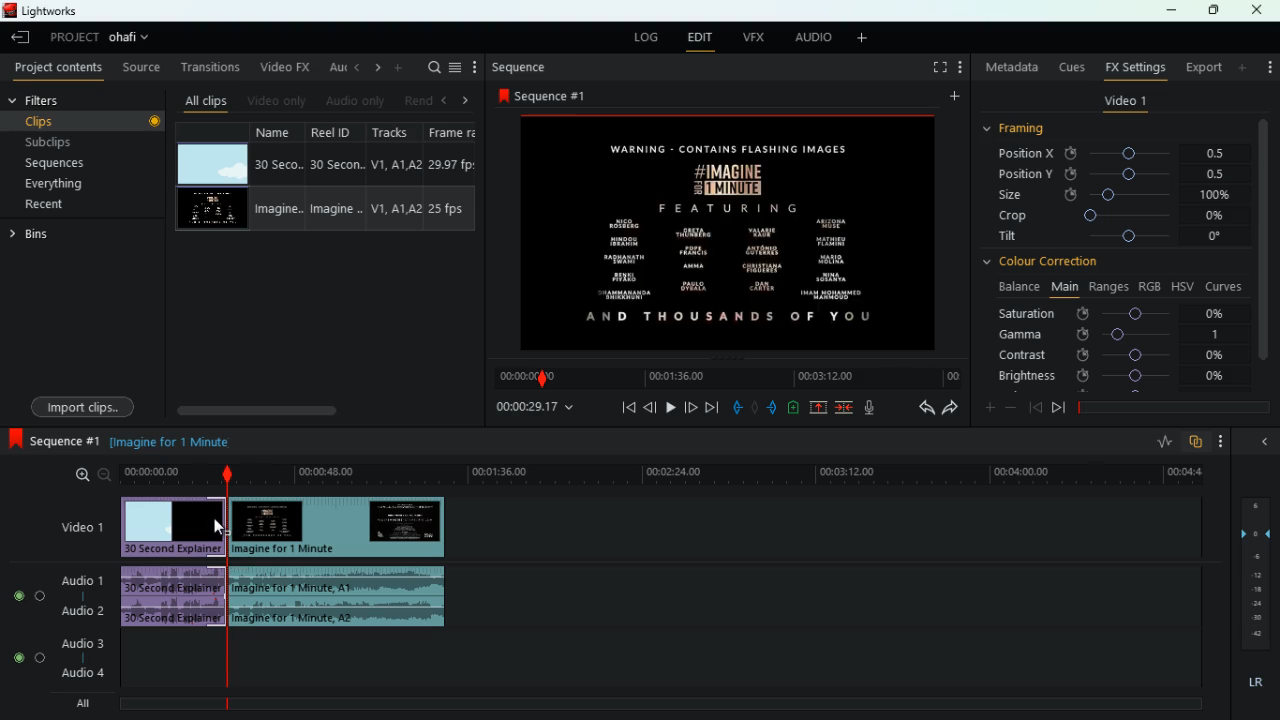 The width and height of the screenshot is (1280, 720). What do you see at coordinates (1122, 154) in the screenshot?
I see `position x` at bounding box center [1122, 154].